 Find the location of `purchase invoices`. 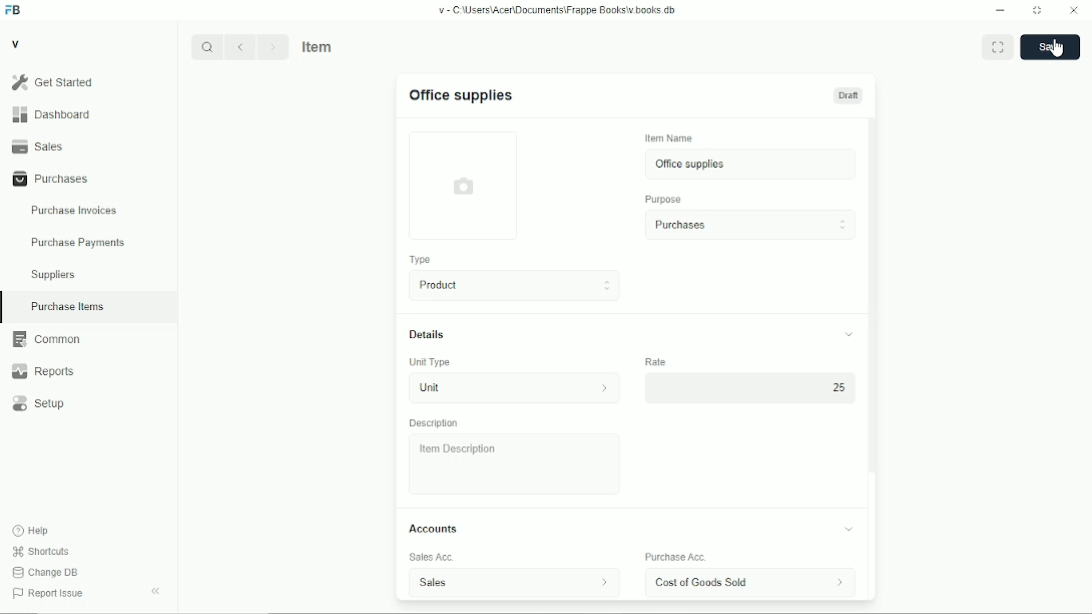

purchase invoices is located at coordinates (74, 211).